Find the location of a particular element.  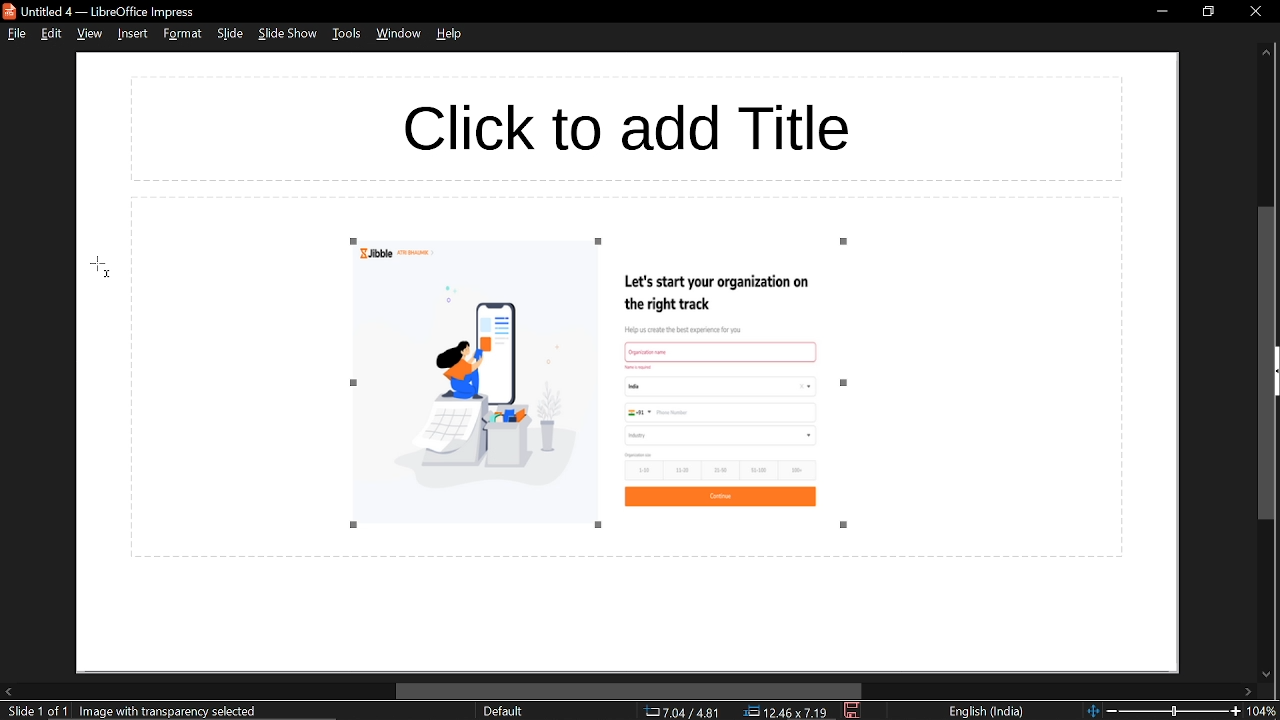

move down is located at coordinates (1264, 672).